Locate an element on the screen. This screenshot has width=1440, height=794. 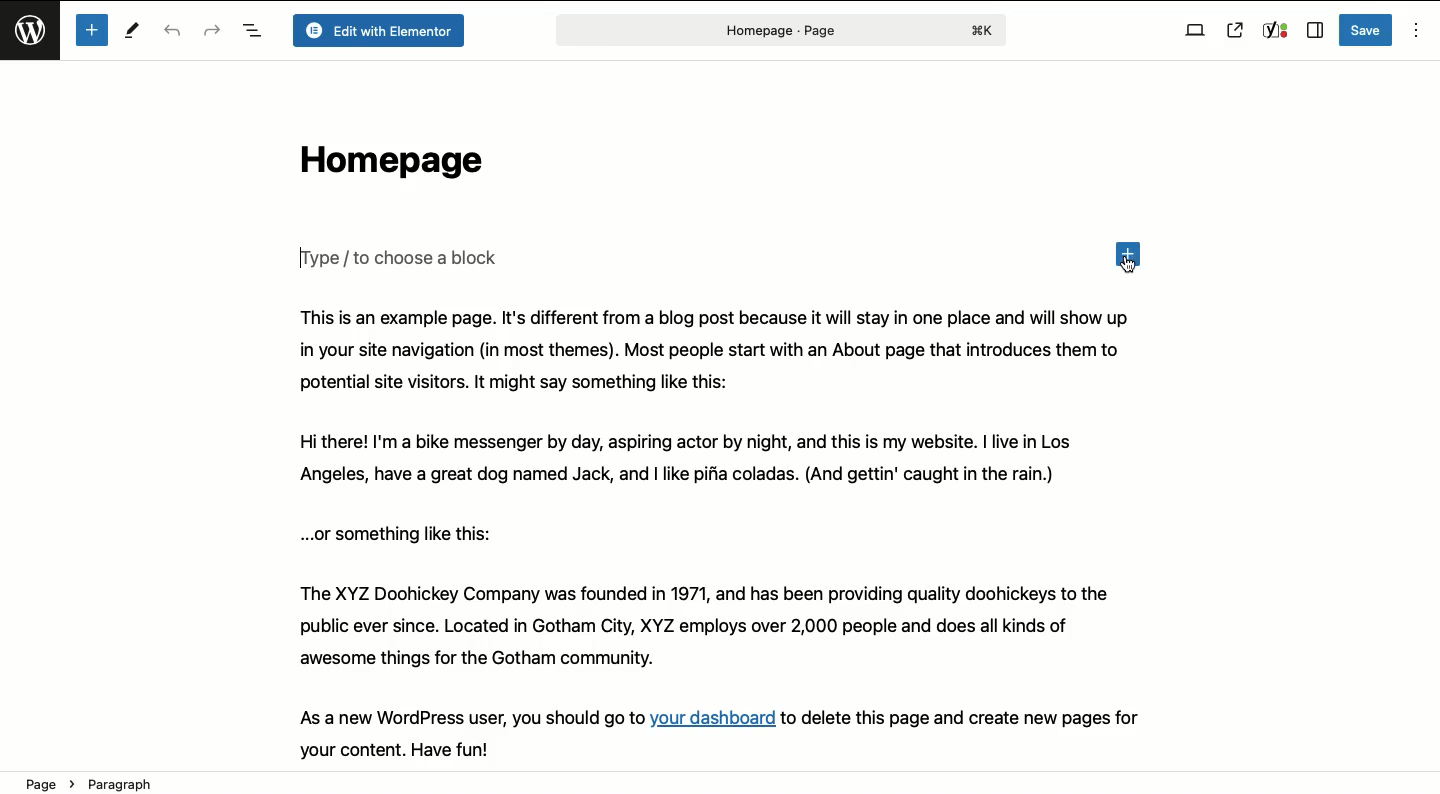
Undo is located at coordinates (175, 32).